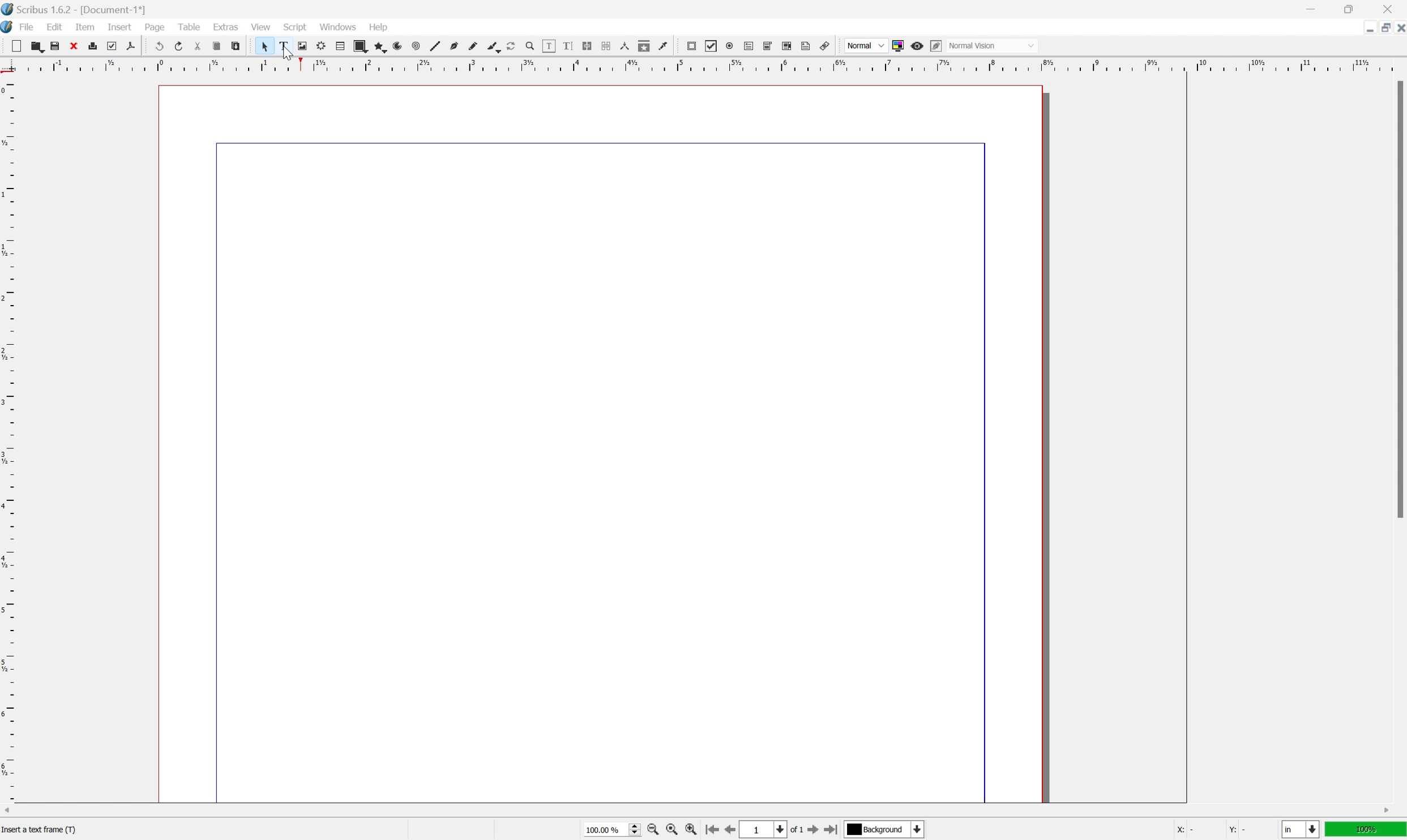  I want to click on item, so click(87, 27).